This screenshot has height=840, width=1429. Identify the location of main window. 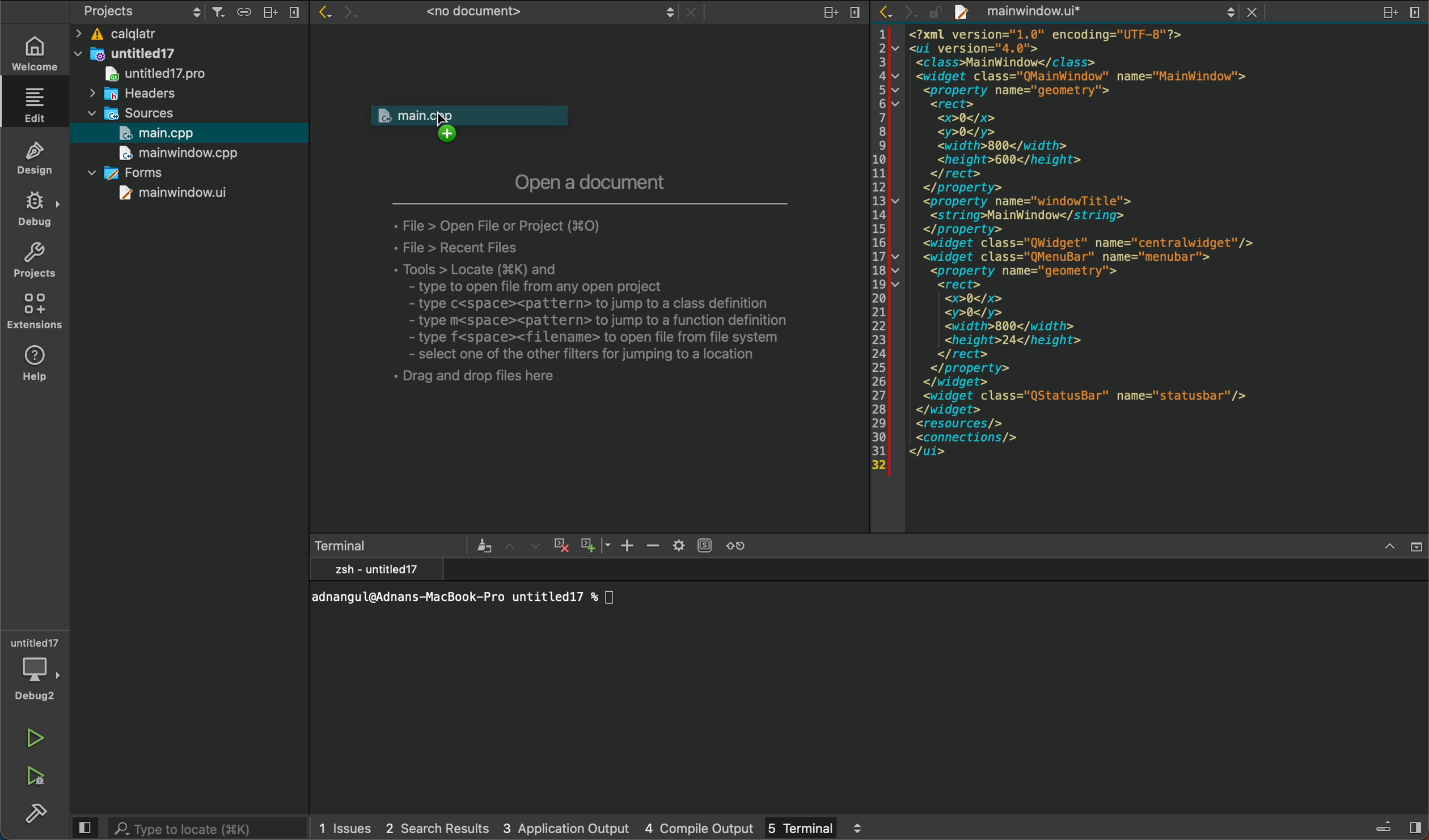
(155, 194).